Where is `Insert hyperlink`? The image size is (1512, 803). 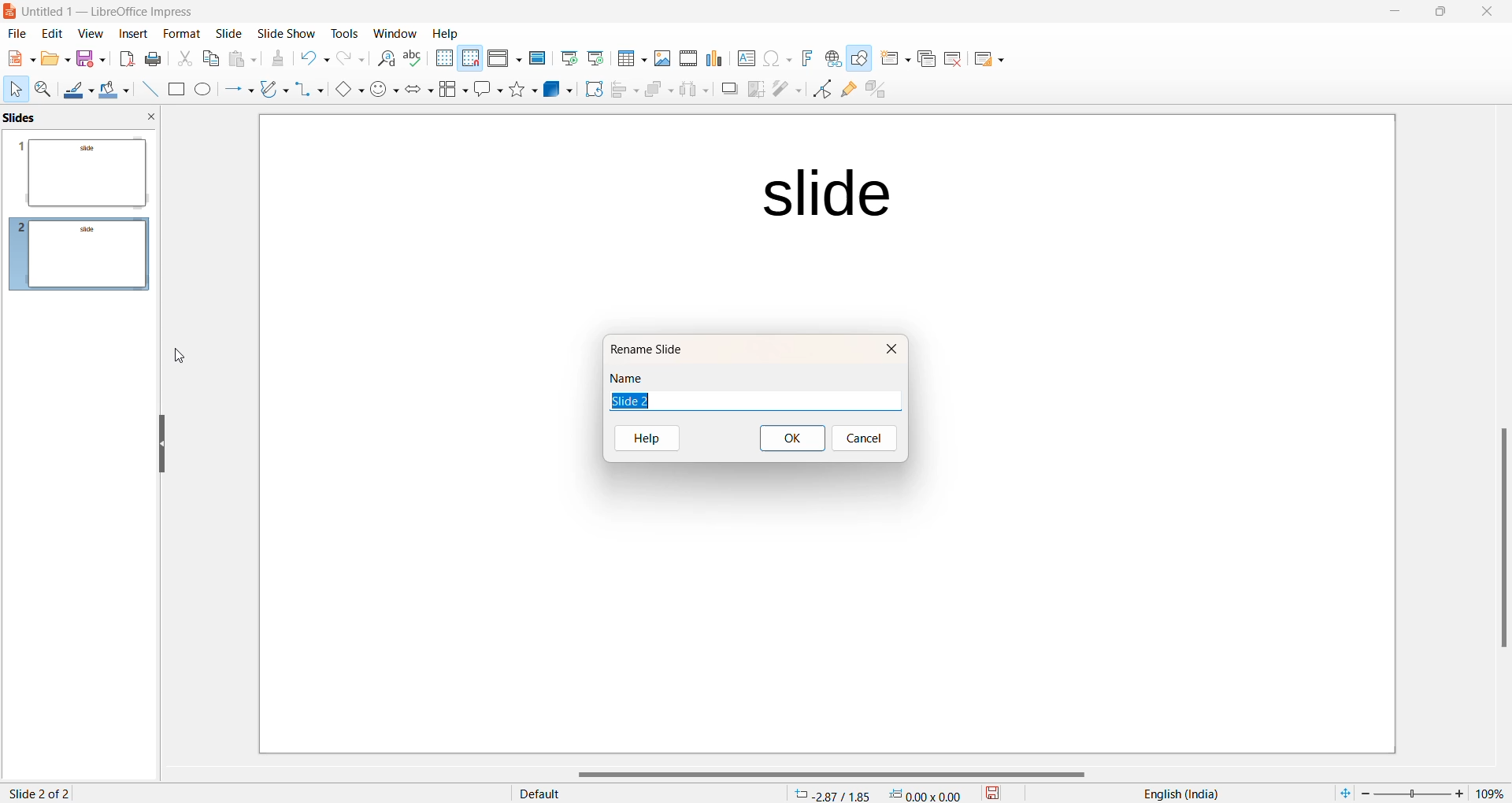 Insert hyperlink is located at coordinates (830, 59).